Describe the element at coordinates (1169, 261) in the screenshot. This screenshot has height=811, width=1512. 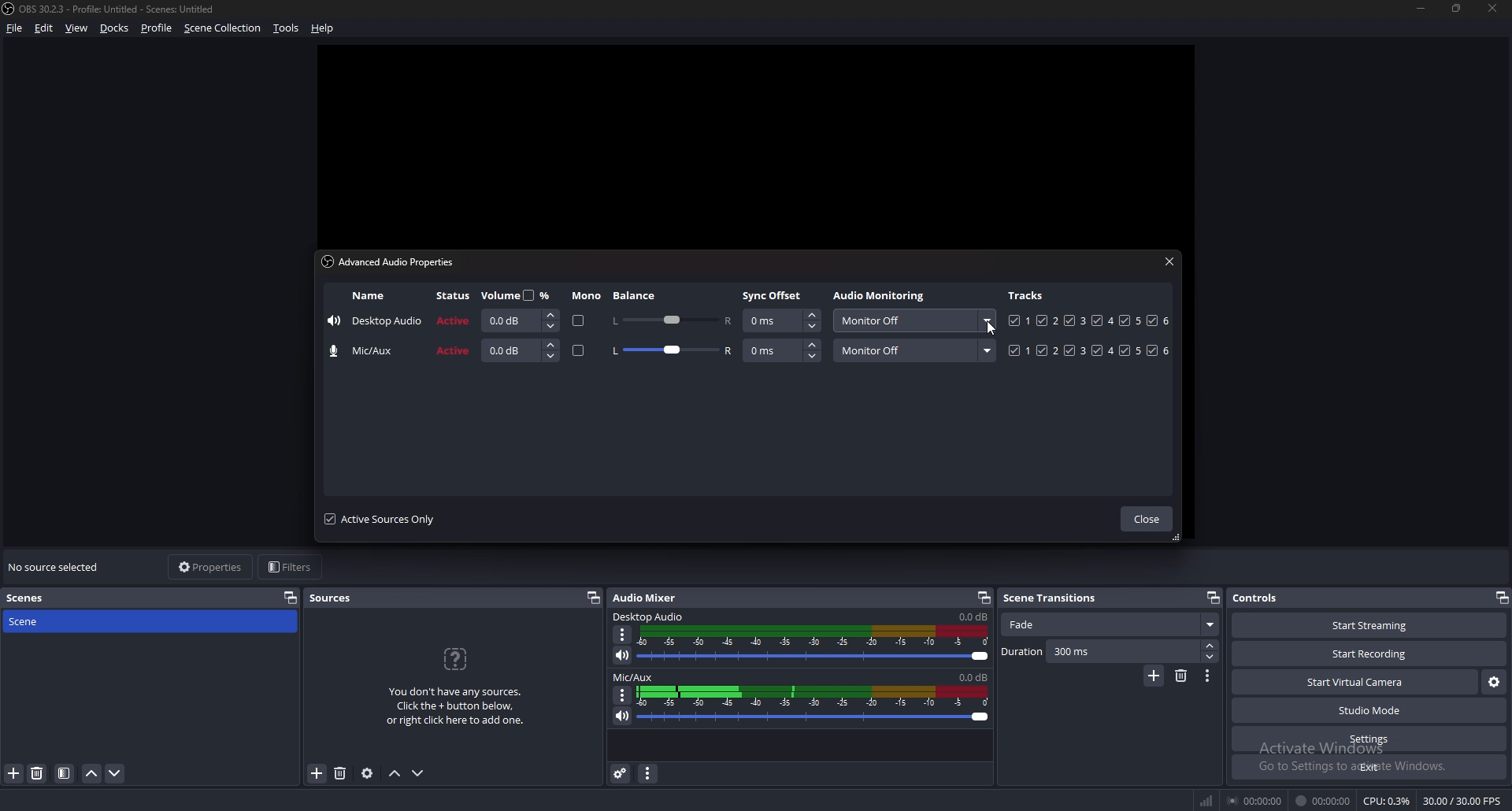
I see `close` at that location.